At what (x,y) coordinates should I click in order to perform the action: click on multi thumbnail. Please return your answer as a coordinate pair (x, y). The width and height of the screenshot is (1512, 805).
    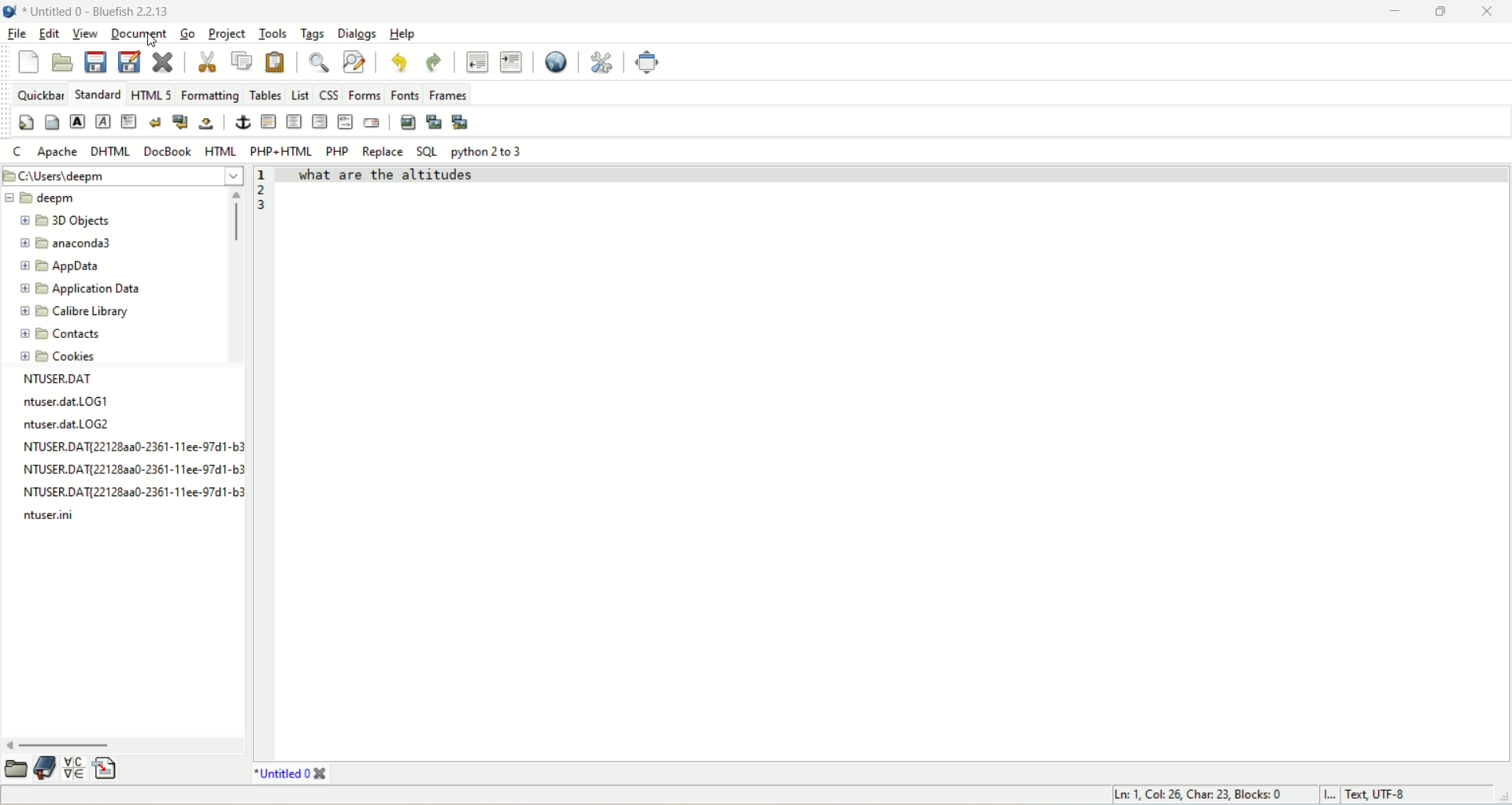
    Looking at the image, I should click on (461, 121).